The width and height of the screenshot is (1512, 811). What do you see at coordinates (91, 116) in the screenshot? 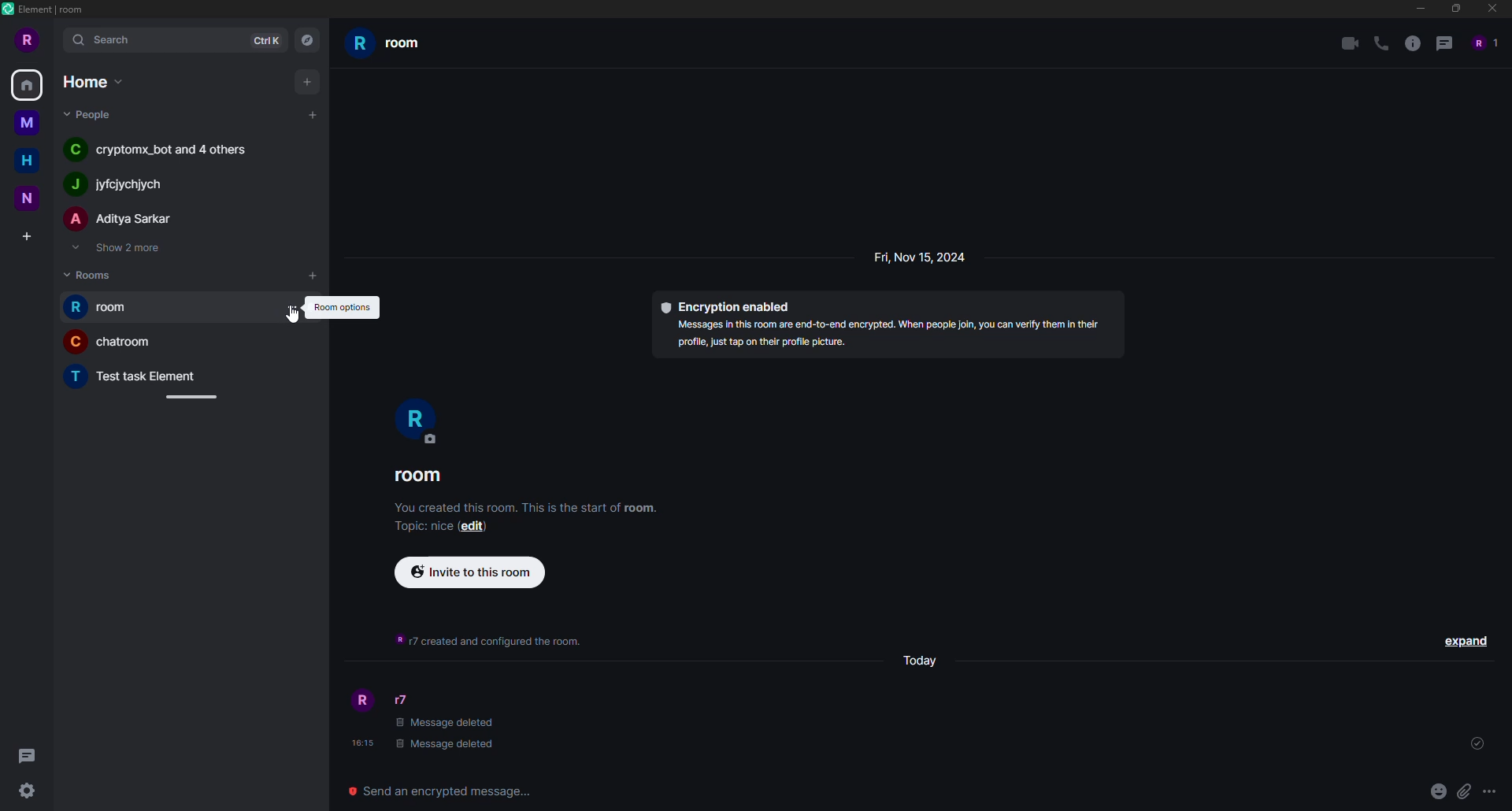
I see `people` at bounding box center [91, 116].